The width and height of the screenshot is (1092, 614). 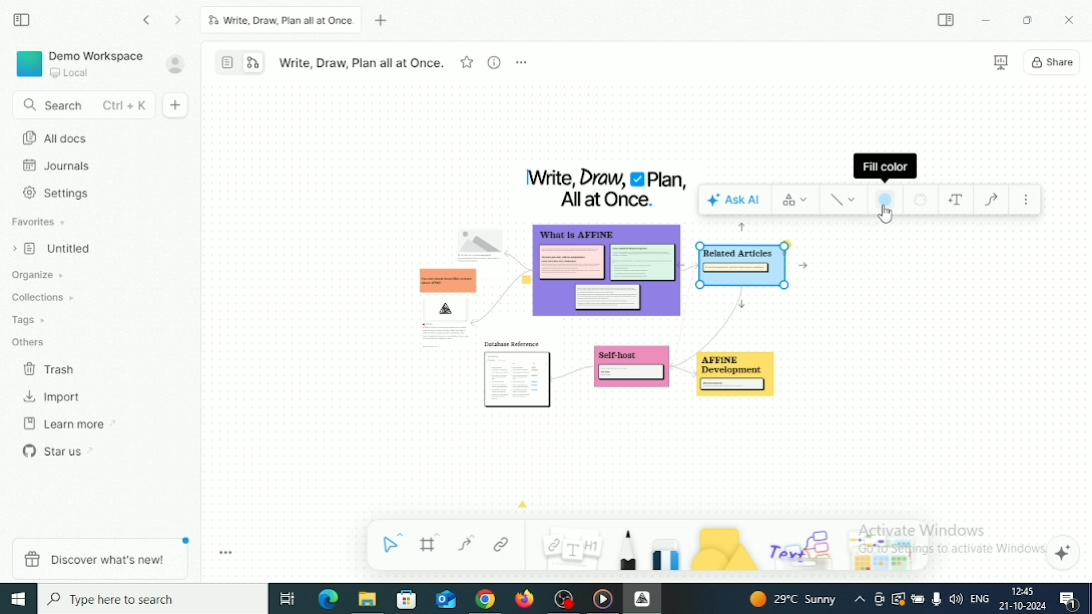 I want to click on Go forward, so click(x=179, y=21).